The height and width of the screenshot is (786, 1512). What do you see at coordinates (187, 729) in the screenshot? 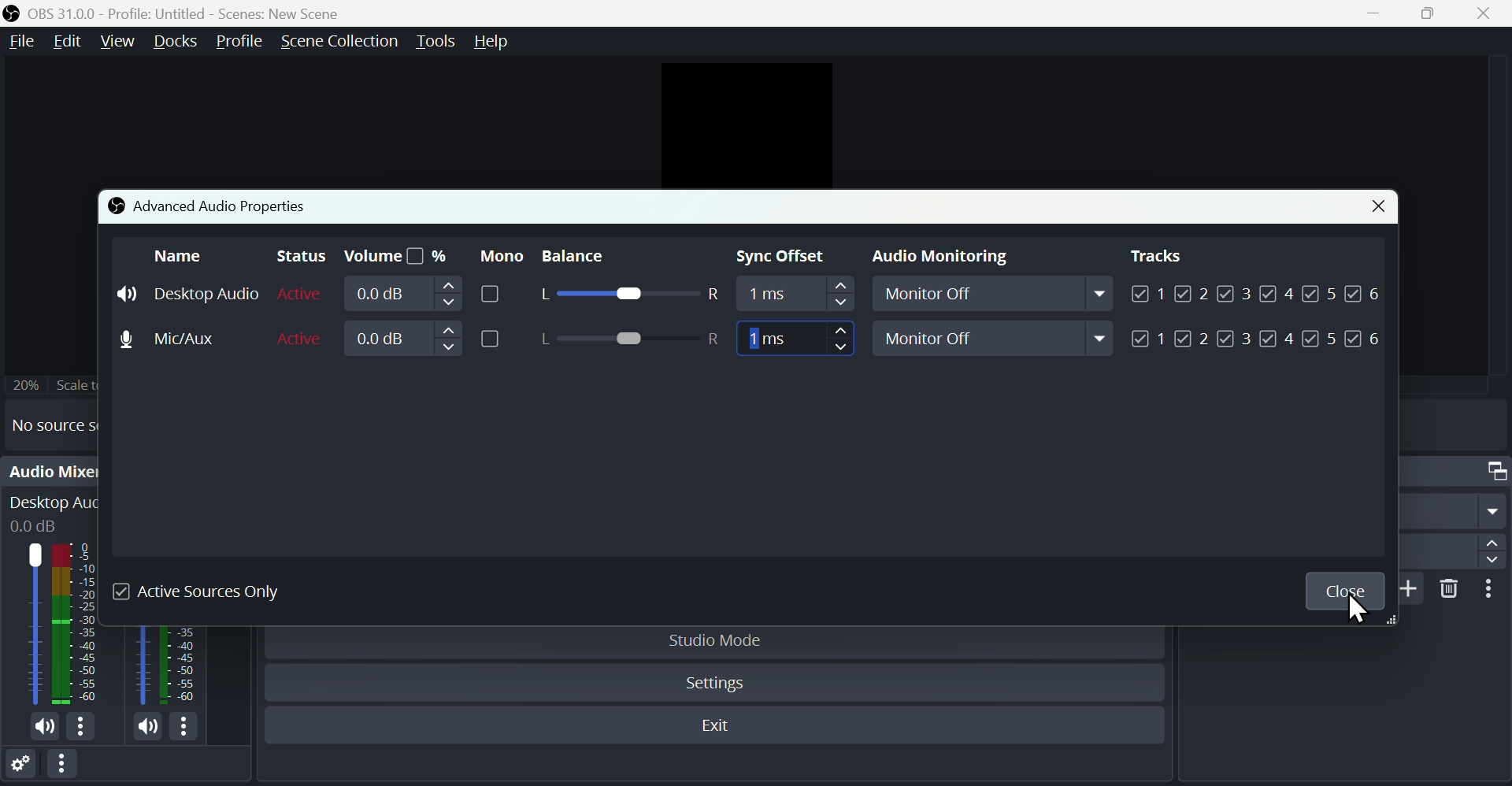
I see `More options` at bounding box center [187, 729].